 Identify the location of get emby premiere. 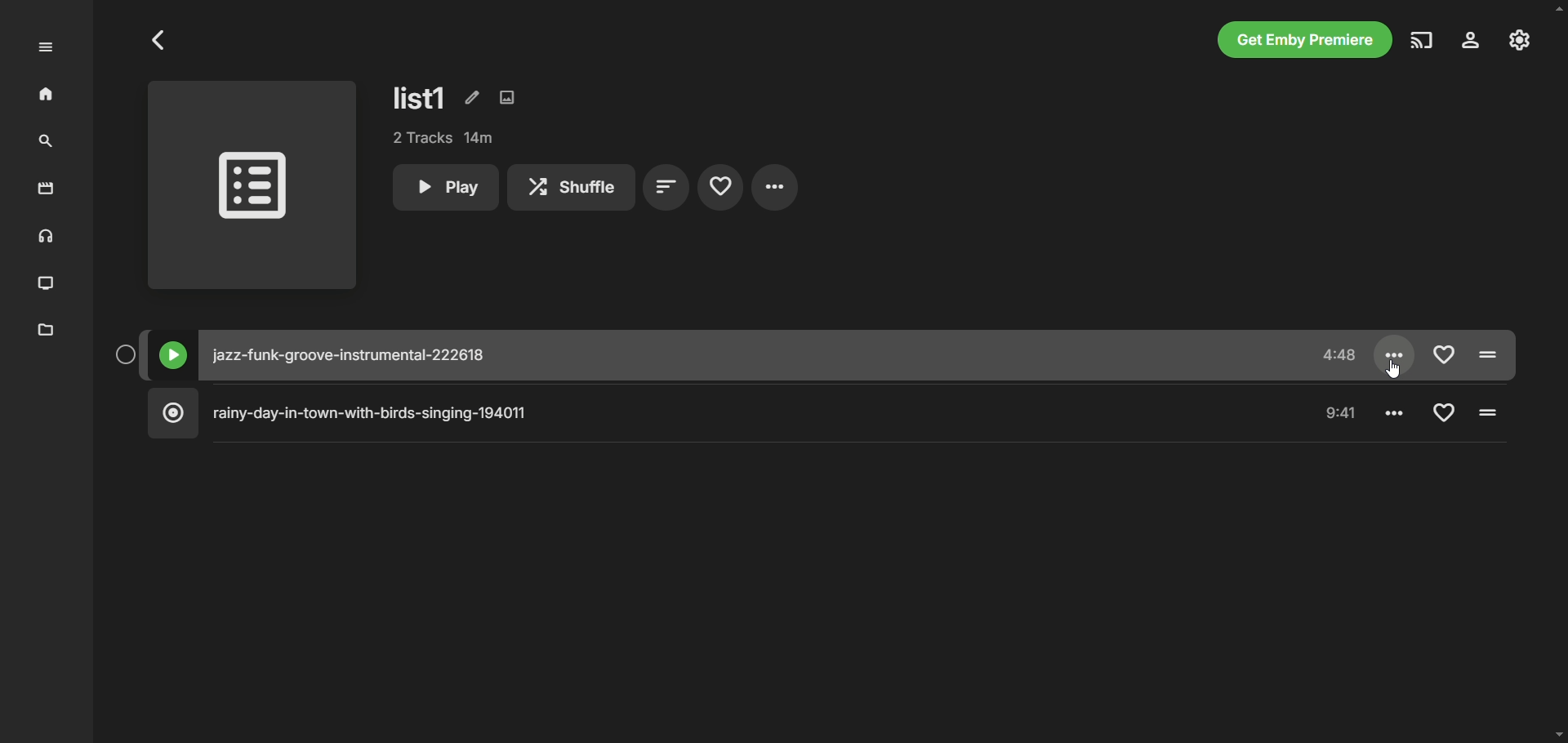
(1305, 39).